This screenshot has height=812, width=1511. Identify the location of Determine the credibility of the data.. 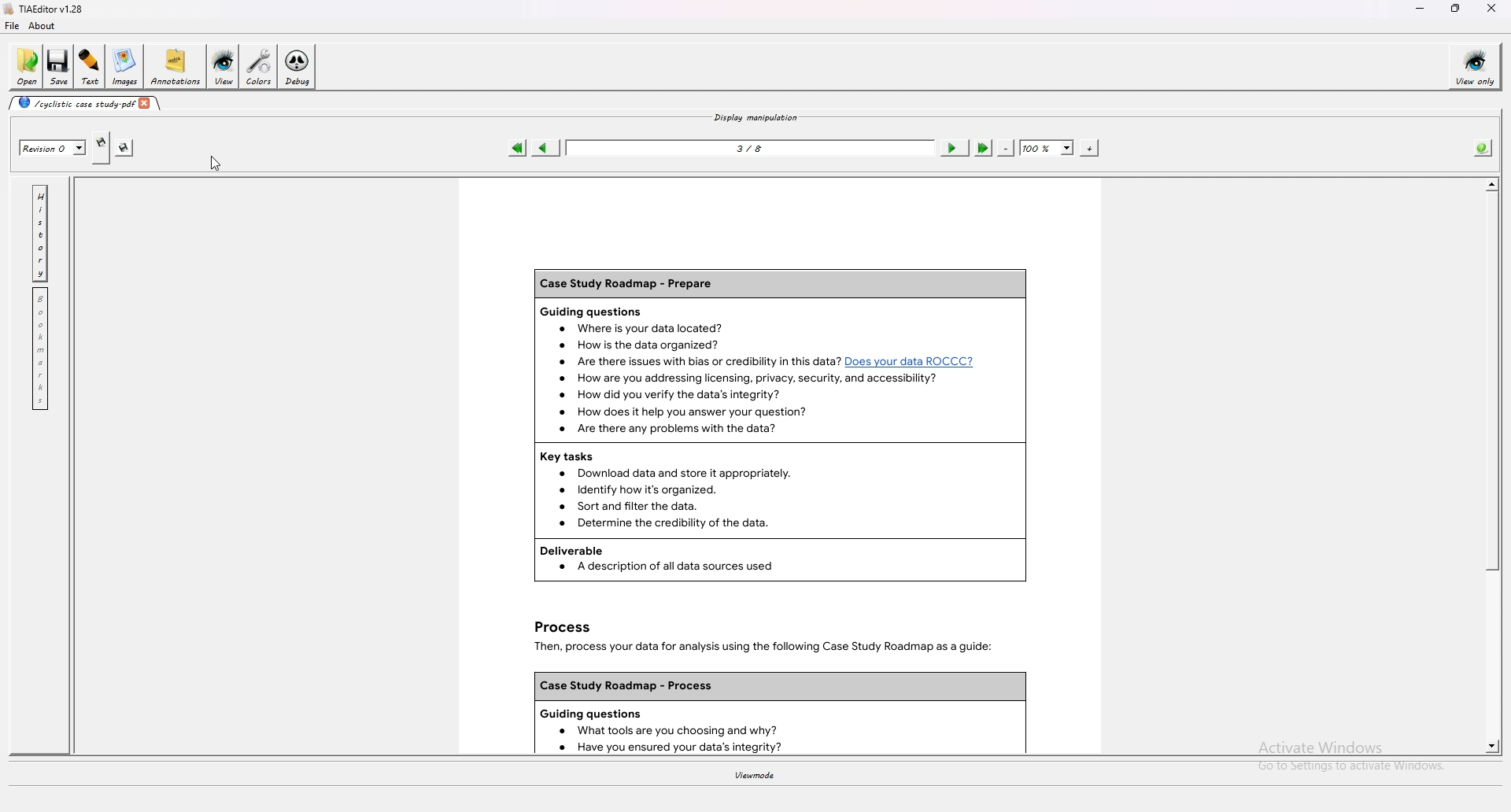
(678, 524).